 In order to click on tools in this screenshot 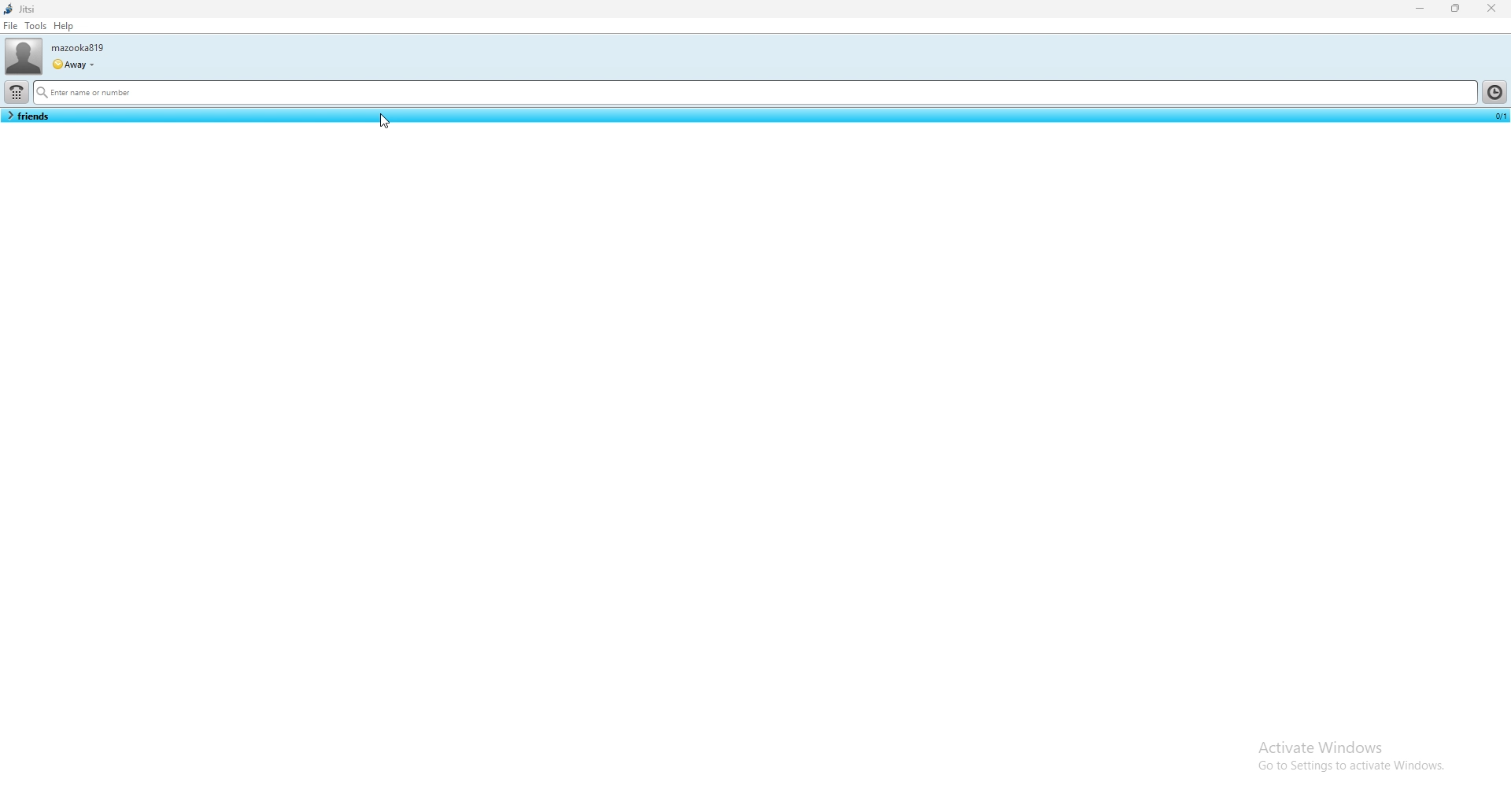, I will do `click(35, 25)`.